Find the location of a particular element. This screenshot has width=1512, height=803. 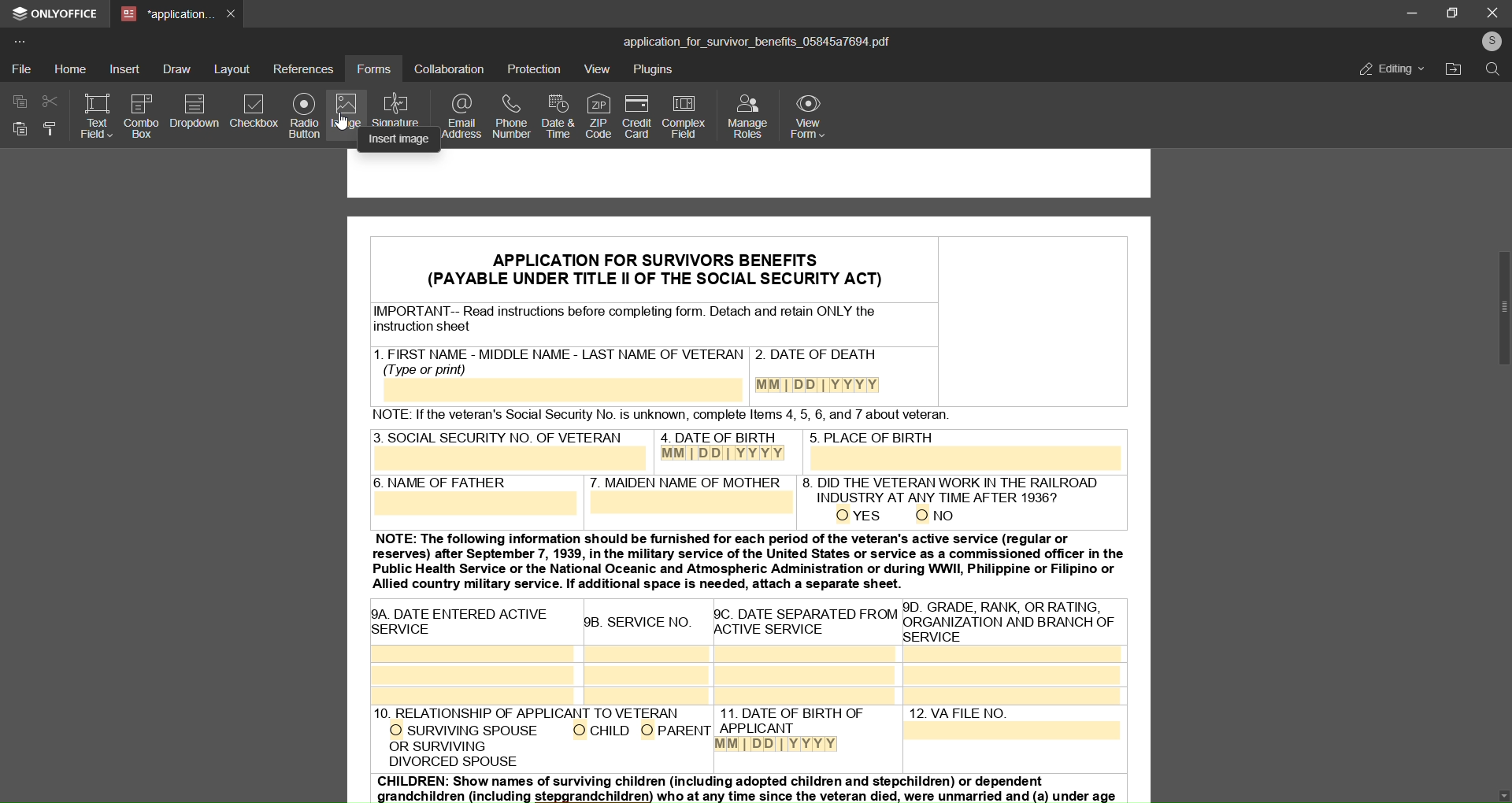

zip code is located at coordinates (596, 114).